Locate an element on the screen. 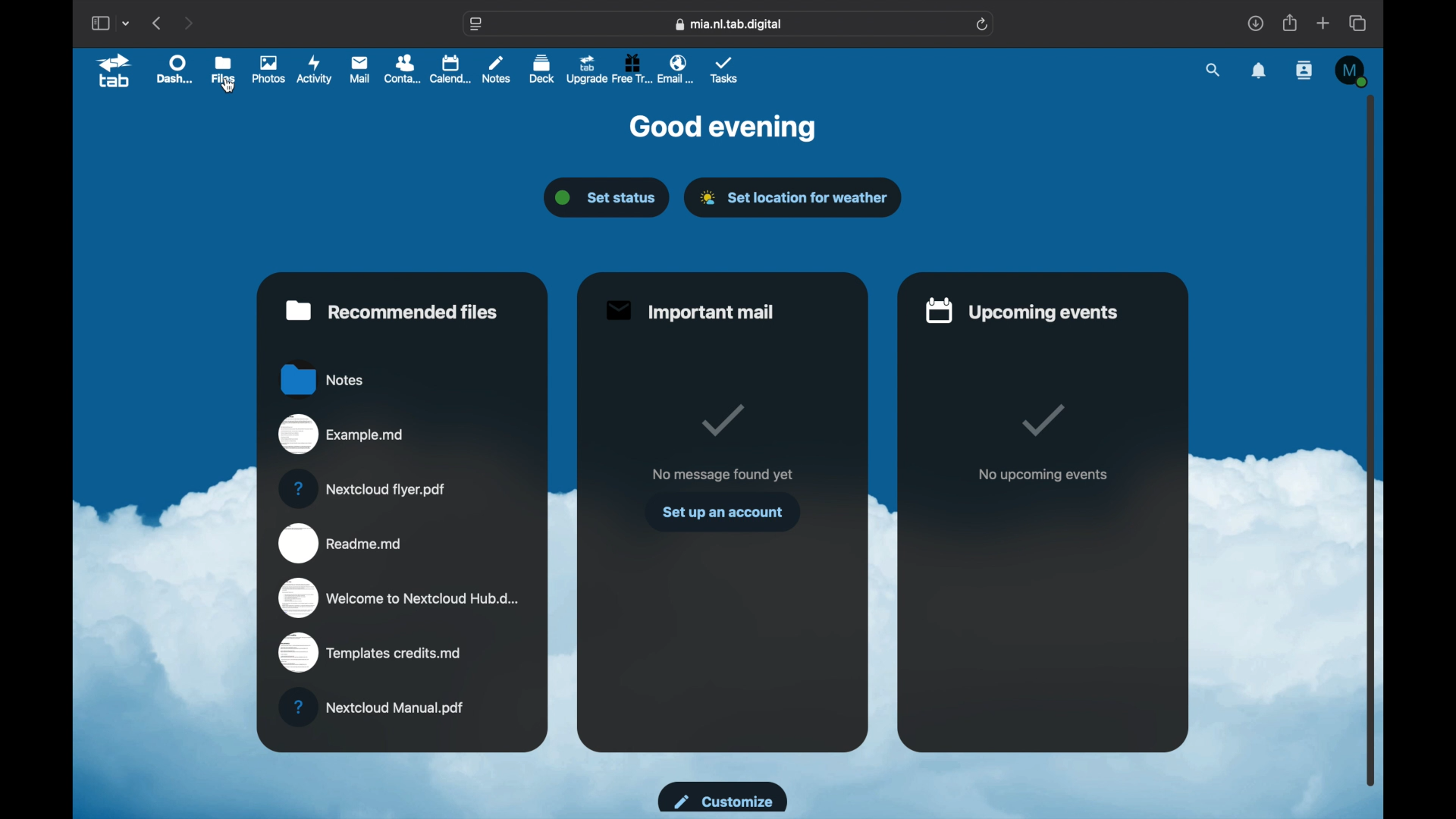 This screenshot has height=819, width=1456. activity is located at coordinates (315, 71).